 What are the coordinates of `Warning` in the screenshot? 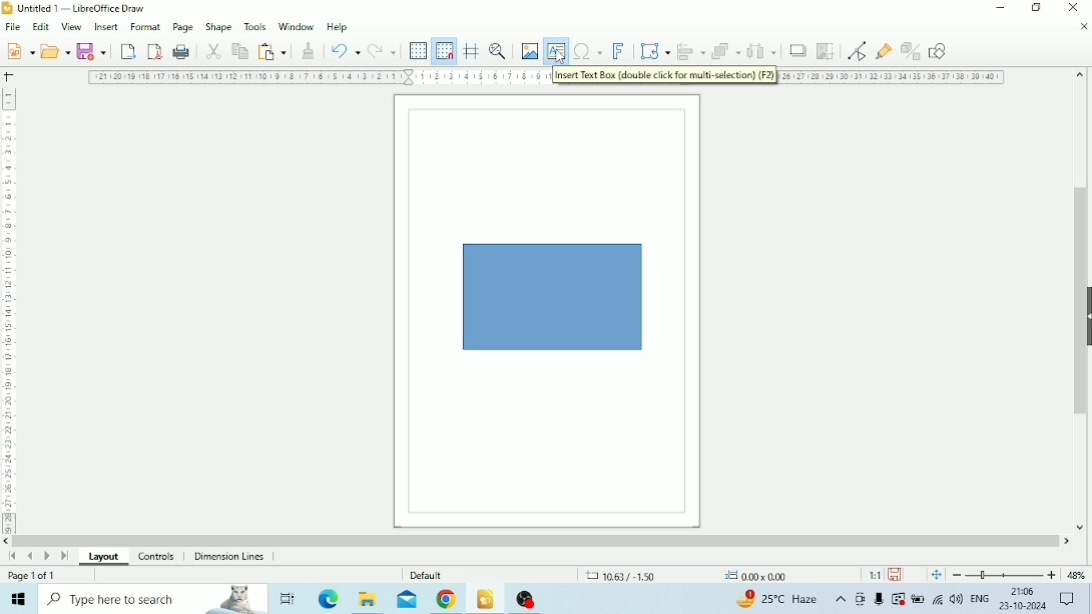 It's located at (898, 599).